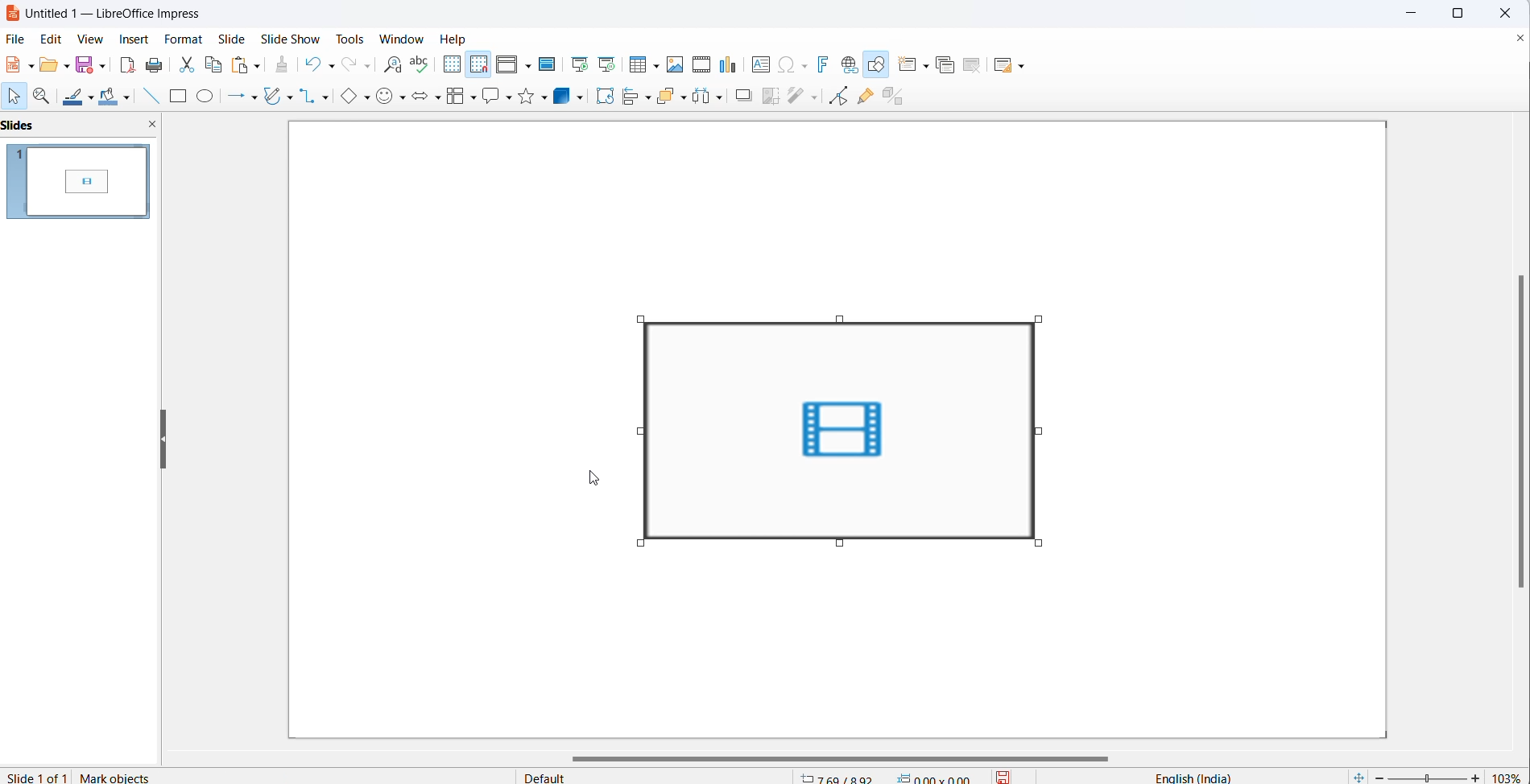 The width and height of the screenshot is (1530, 784). What do you see at coordinates (838, 317) in the screenshot?
I see `selection markup` at bounding box center [838, 317].